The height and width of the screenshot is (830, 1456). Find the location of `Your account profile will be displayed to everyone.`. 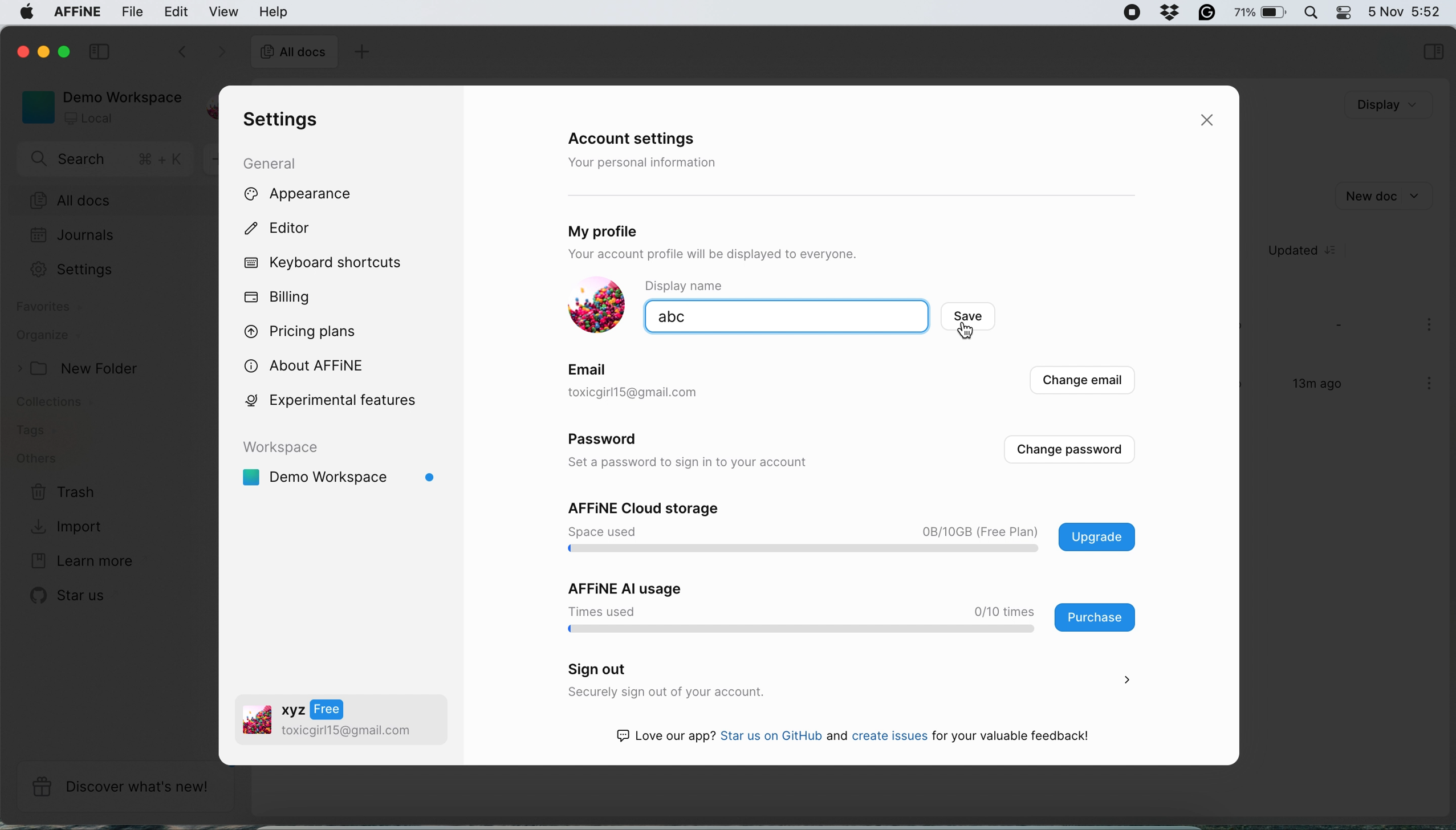

Your account profile will be displayed to everyone. is located at coordinates (758, 255).